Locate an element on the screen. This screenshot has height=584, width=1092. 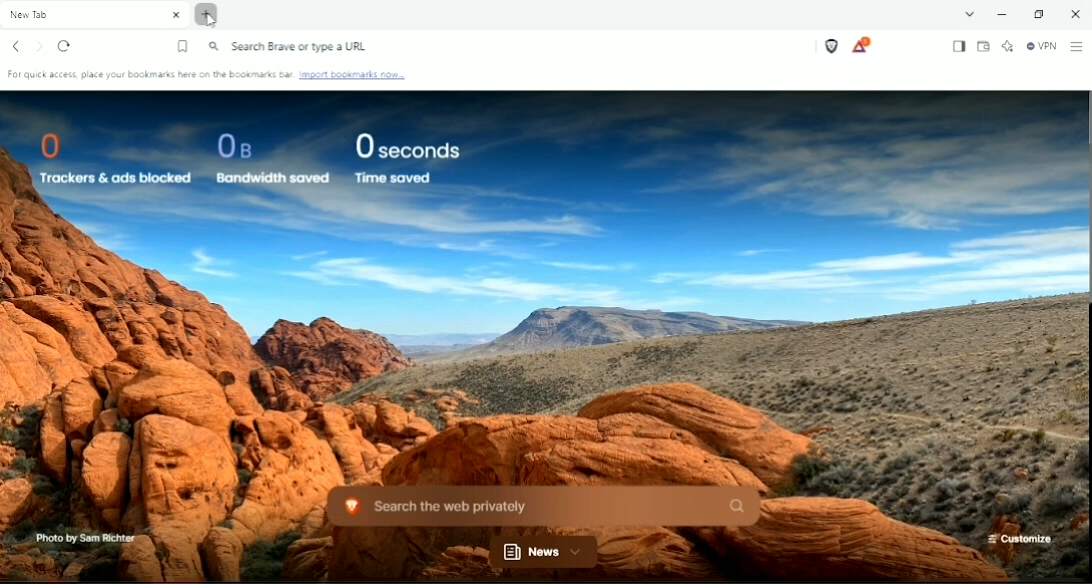
Wallet is located at coordinates (983, 47).